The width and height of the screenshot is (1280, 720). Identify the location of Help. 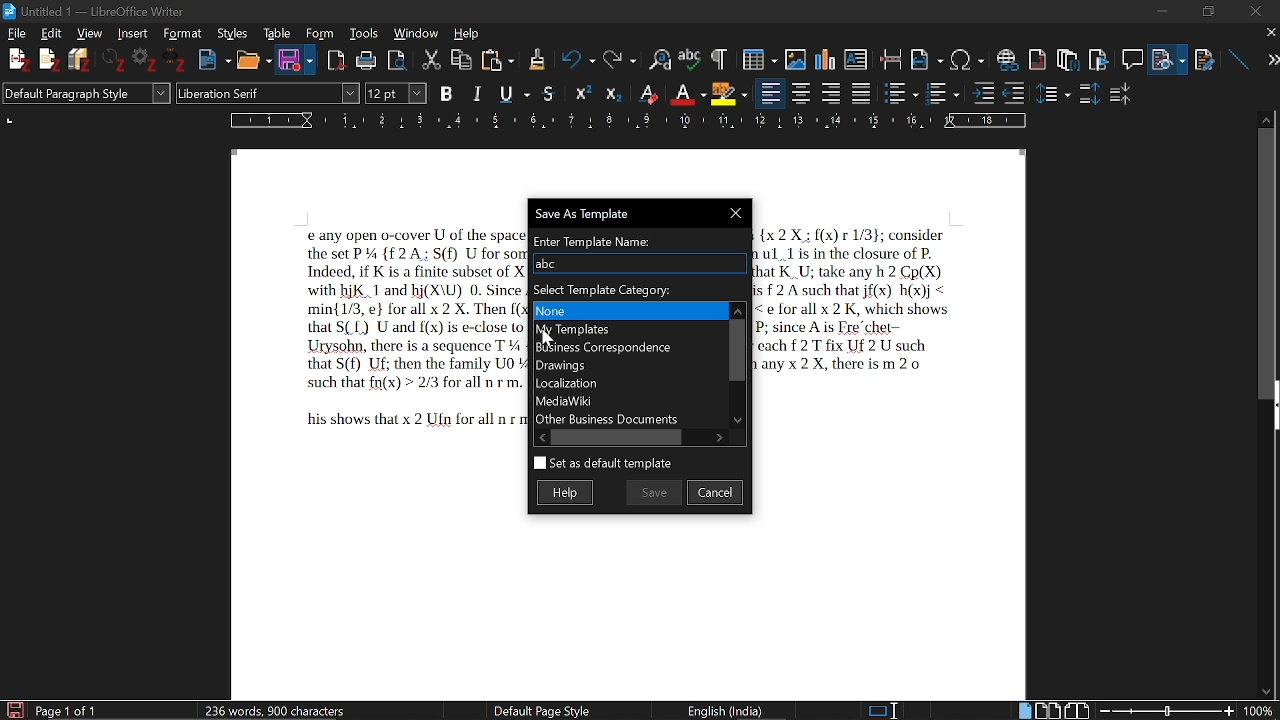
(569, 492).